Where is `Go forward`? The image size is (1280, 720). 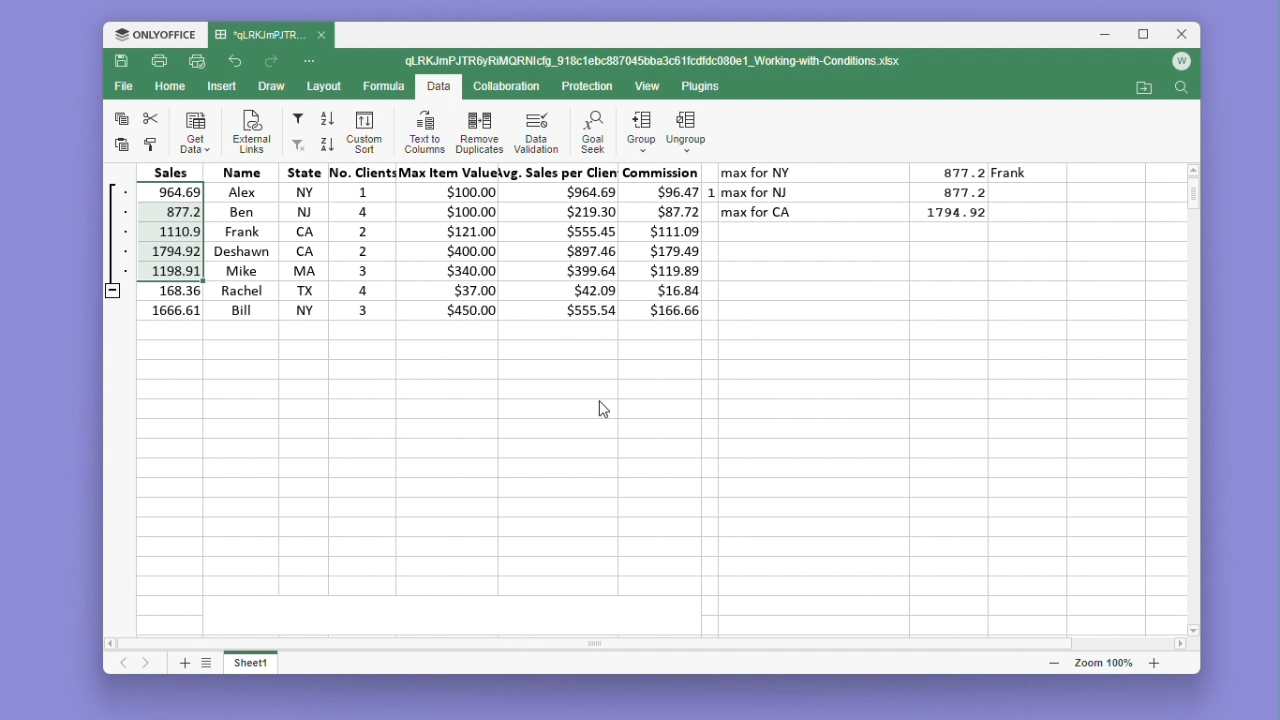 Go forward is located at coordinates (271, 62).